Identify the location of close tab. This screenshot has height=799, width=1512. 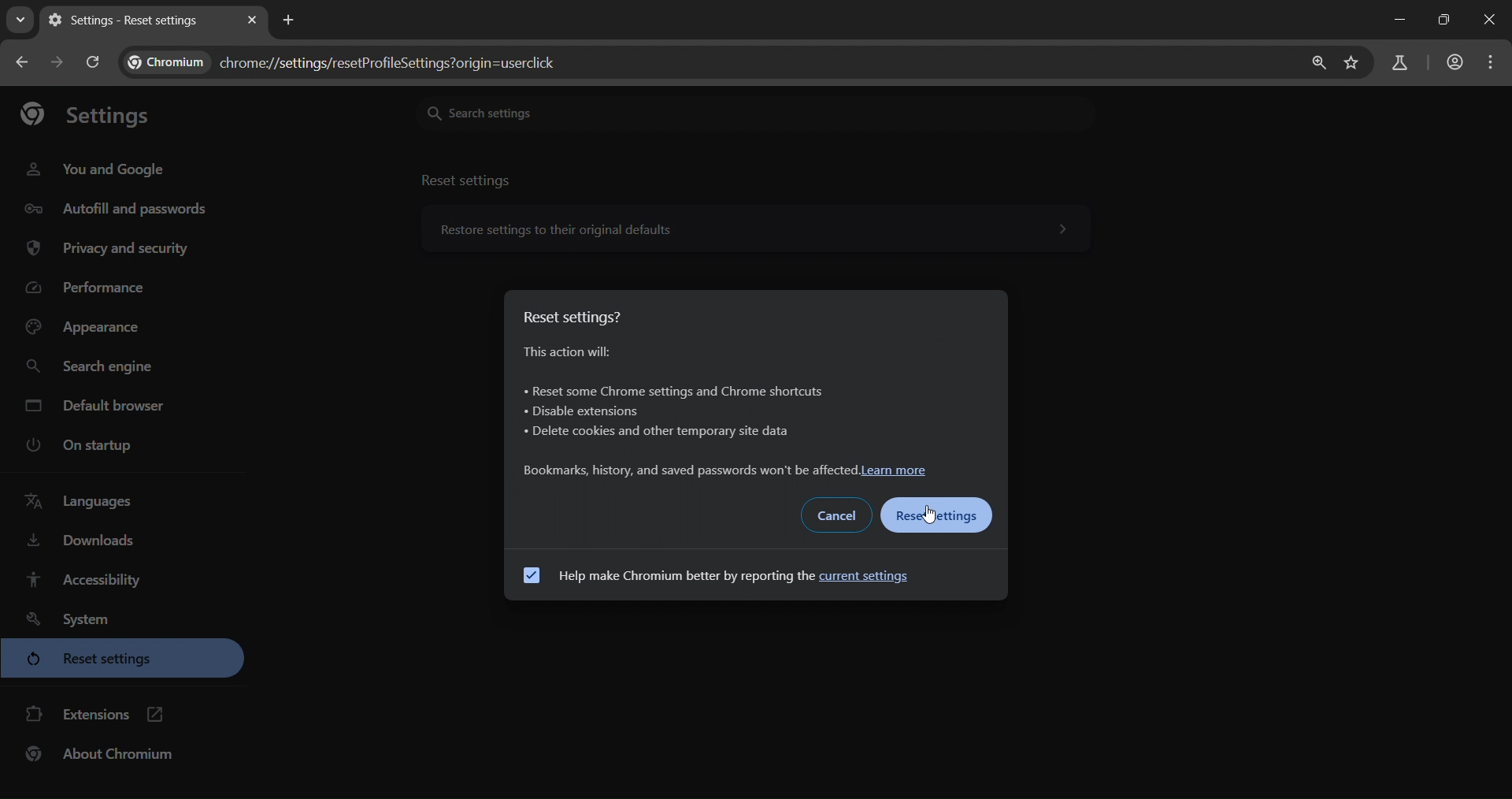
(254, 19).